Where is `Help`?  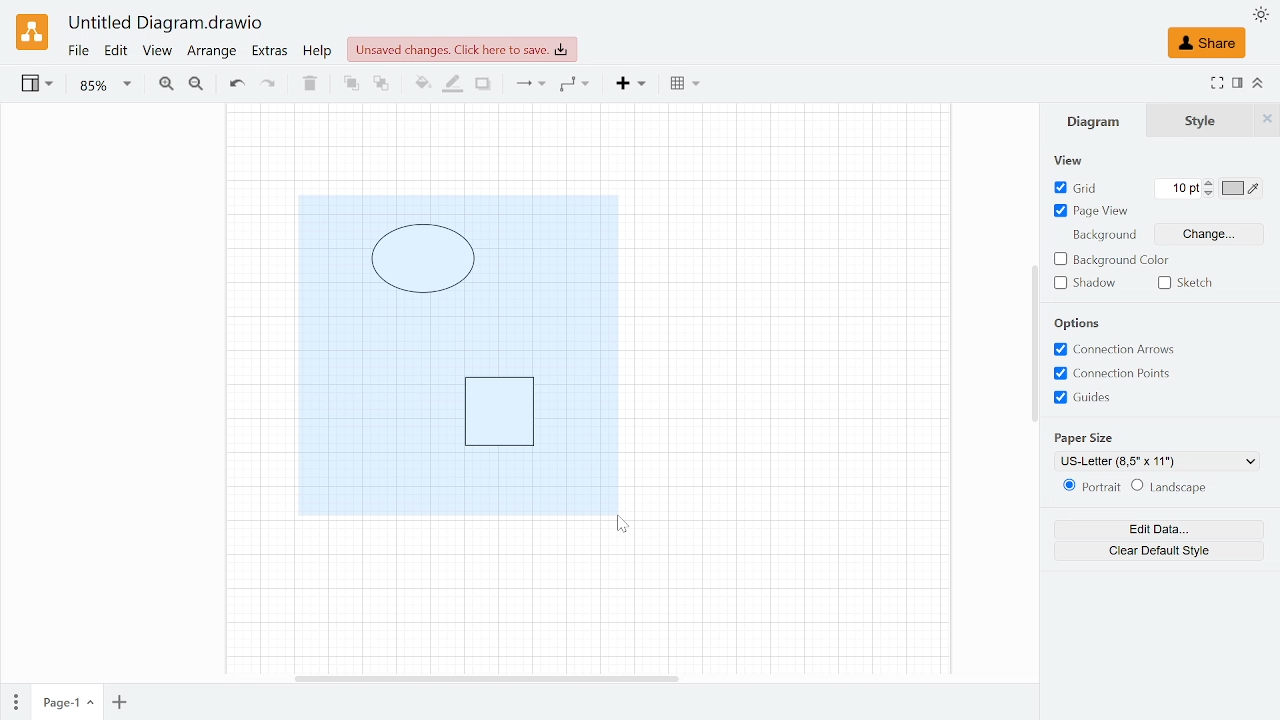
Help is located at coordinates (320, 53).